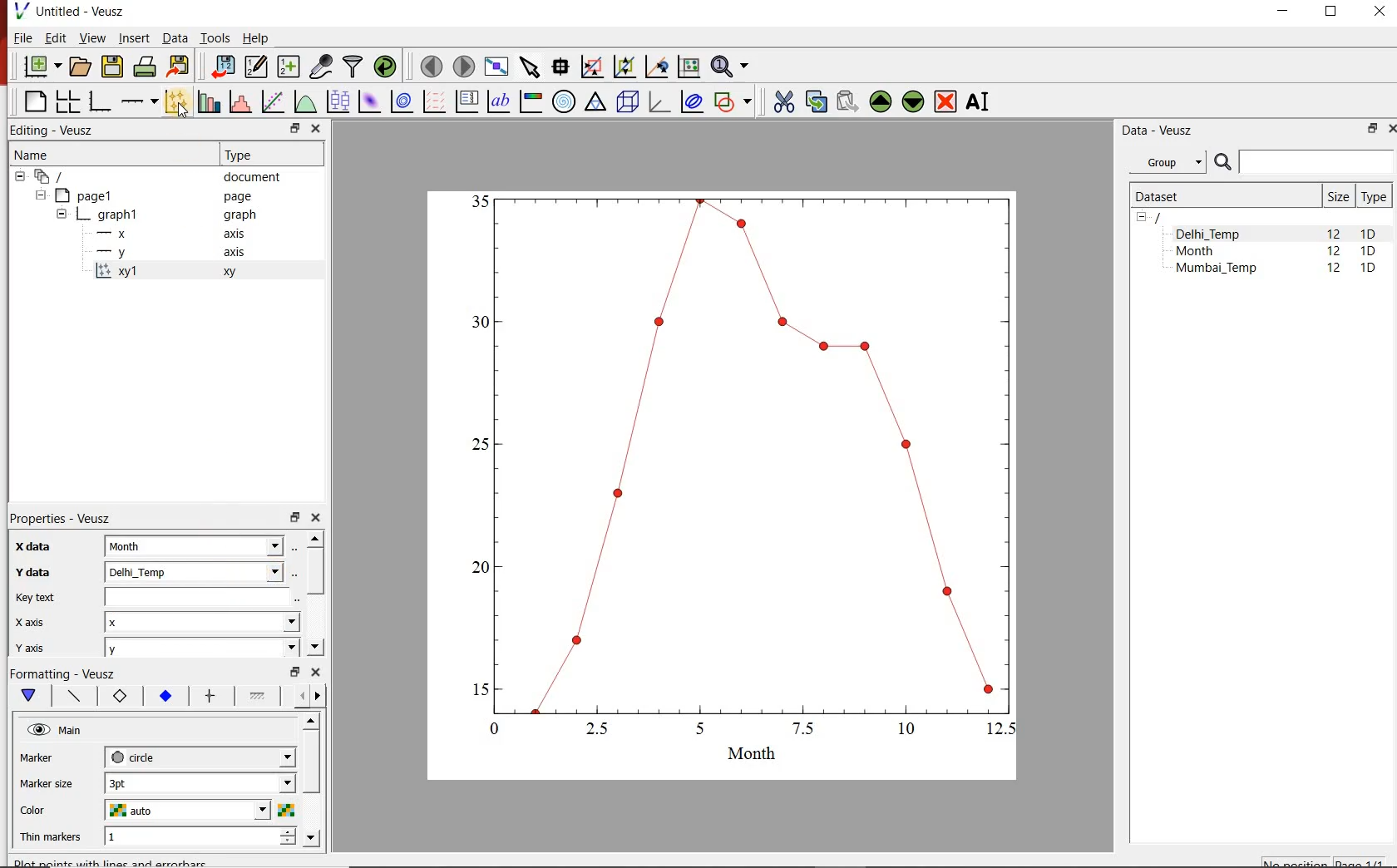  What do you see at coordinates (314, 130) in the screenshot?
I see `close` at bounding box center [314, 130].